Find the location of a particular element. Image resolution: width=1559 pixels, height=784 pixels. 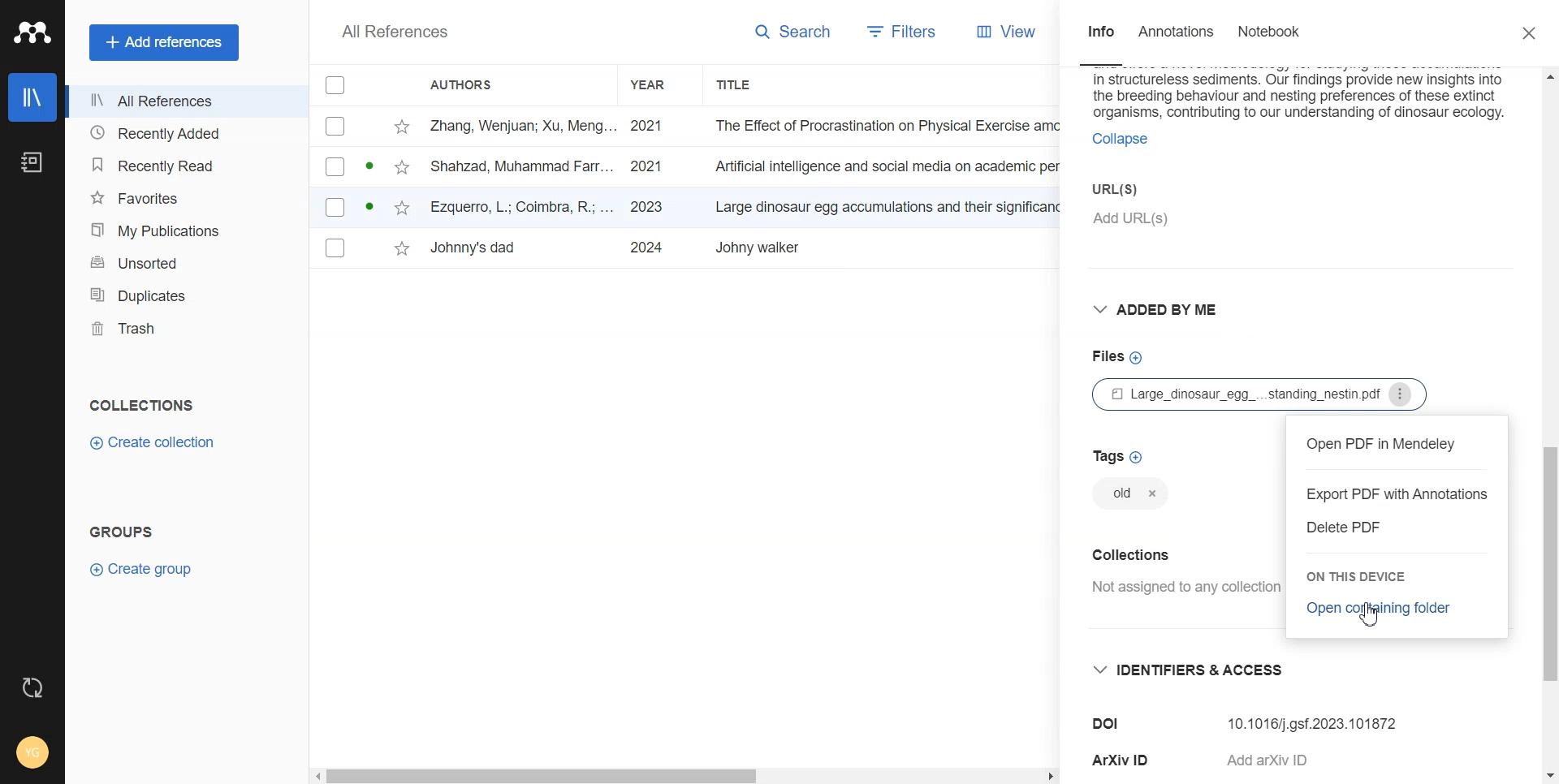

2023 is located at coordinates (645, 207).